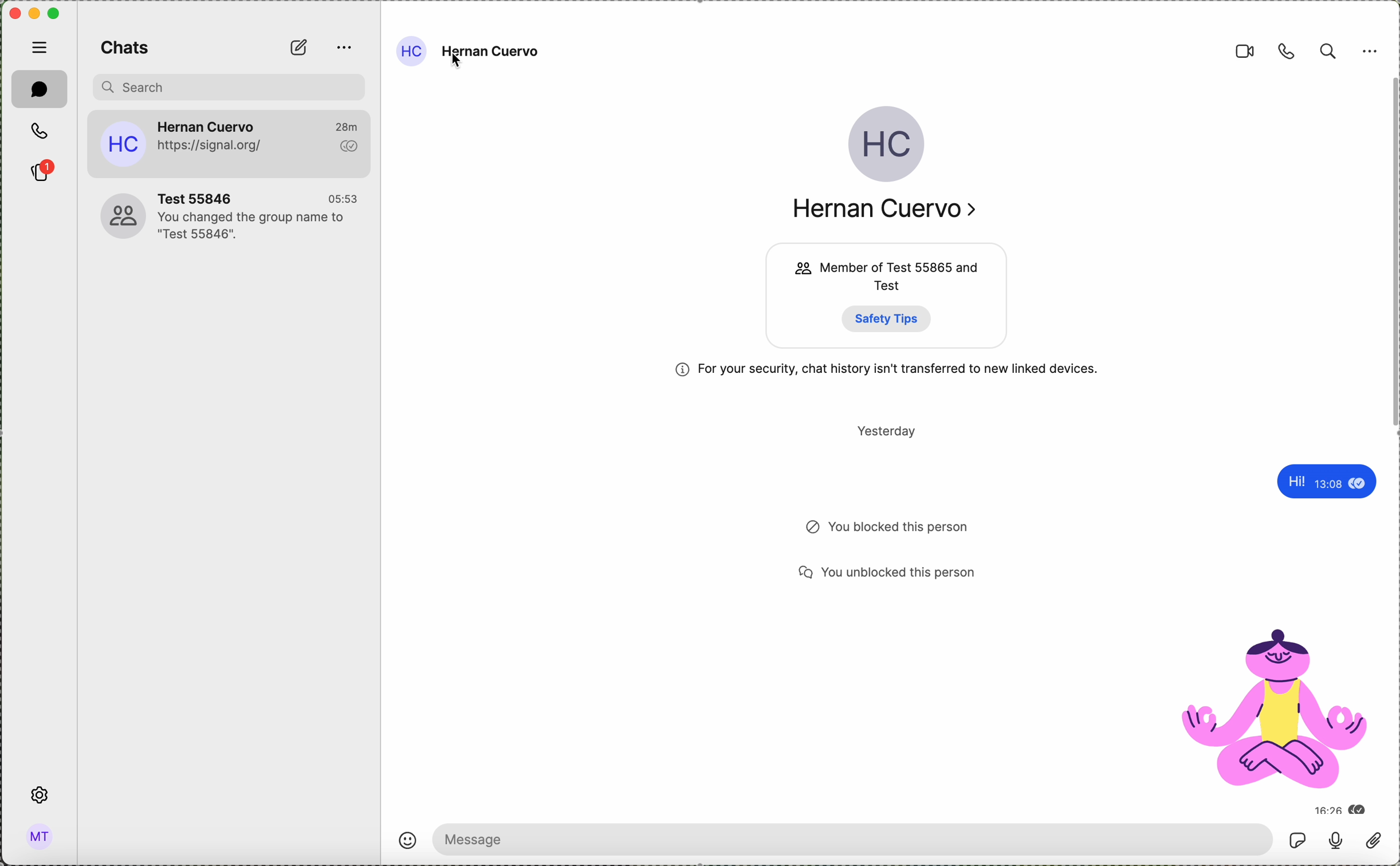 Image resolution: width=1400 pixels, height=866 pixels. What do you see at coordinates (888, 145) in the screenshot?
I see `Hernan Cuervo profile` at bounding box center [888, 145].